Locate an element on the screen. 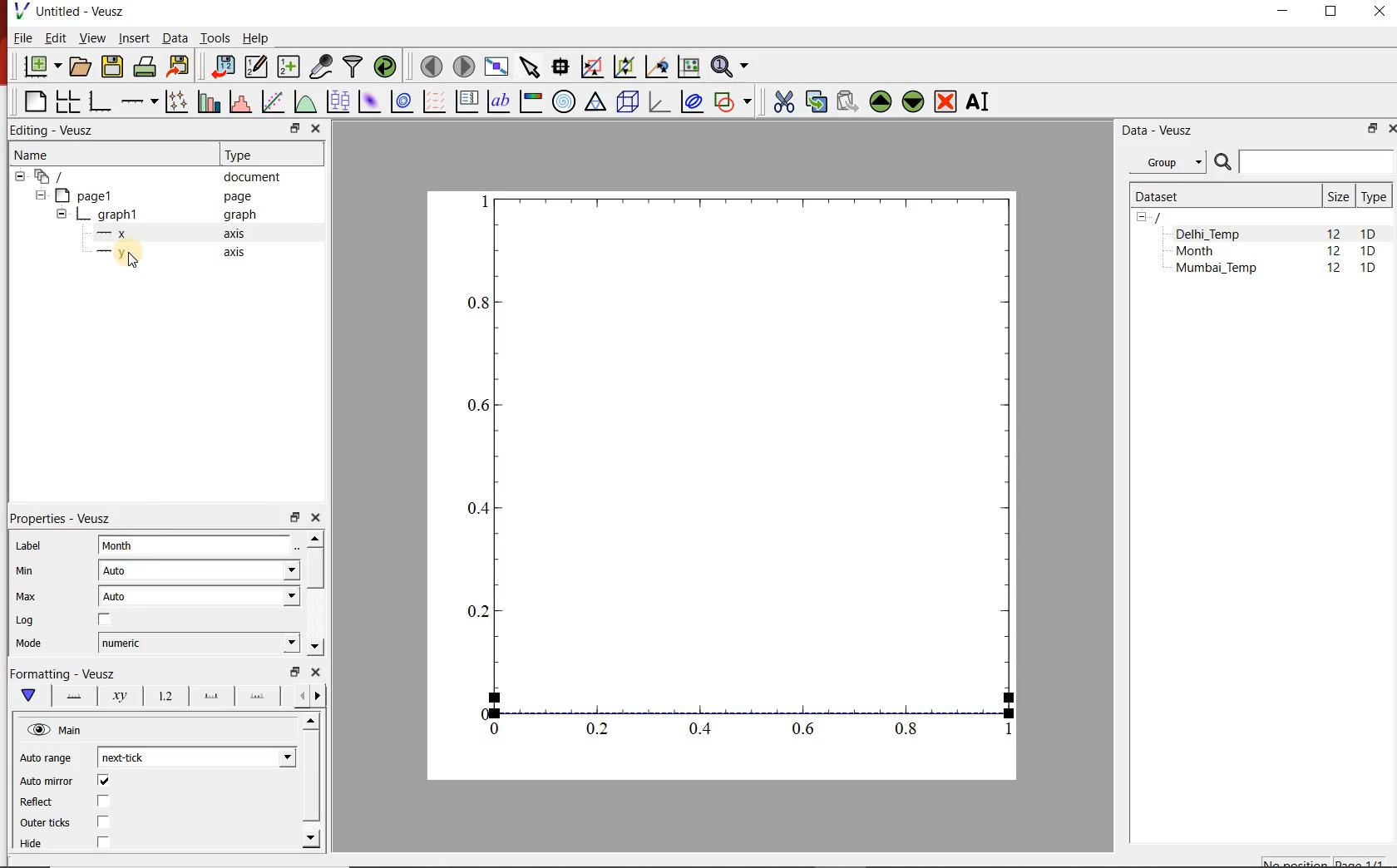  save the document is located at coordinates (111, 67).